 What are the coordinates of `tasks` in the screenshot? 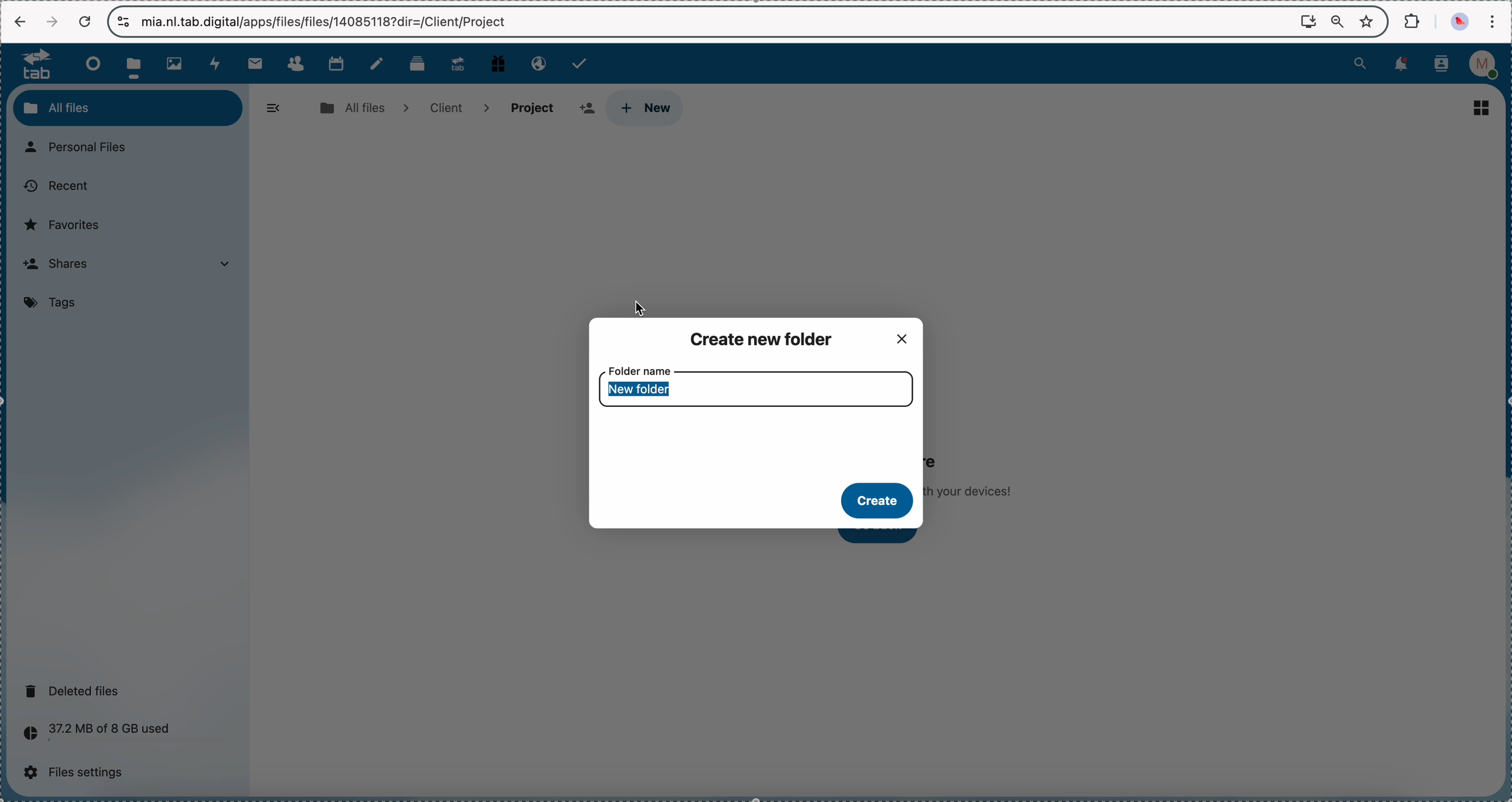 It's located at (581, 63).